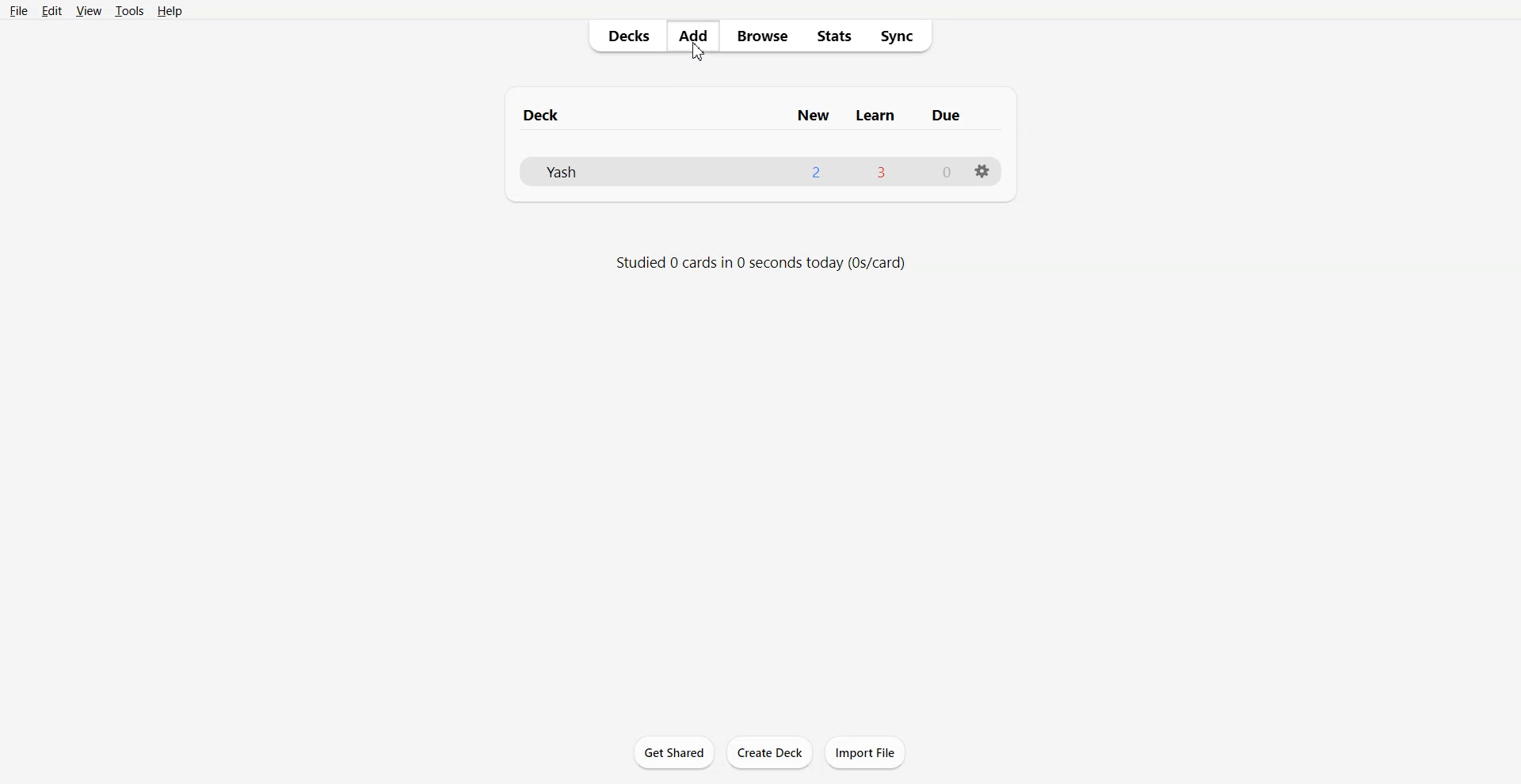  What do you see at coordinates (696, 51) in the screenshot?
I see `Cursor` at bounding box center [696, 51].